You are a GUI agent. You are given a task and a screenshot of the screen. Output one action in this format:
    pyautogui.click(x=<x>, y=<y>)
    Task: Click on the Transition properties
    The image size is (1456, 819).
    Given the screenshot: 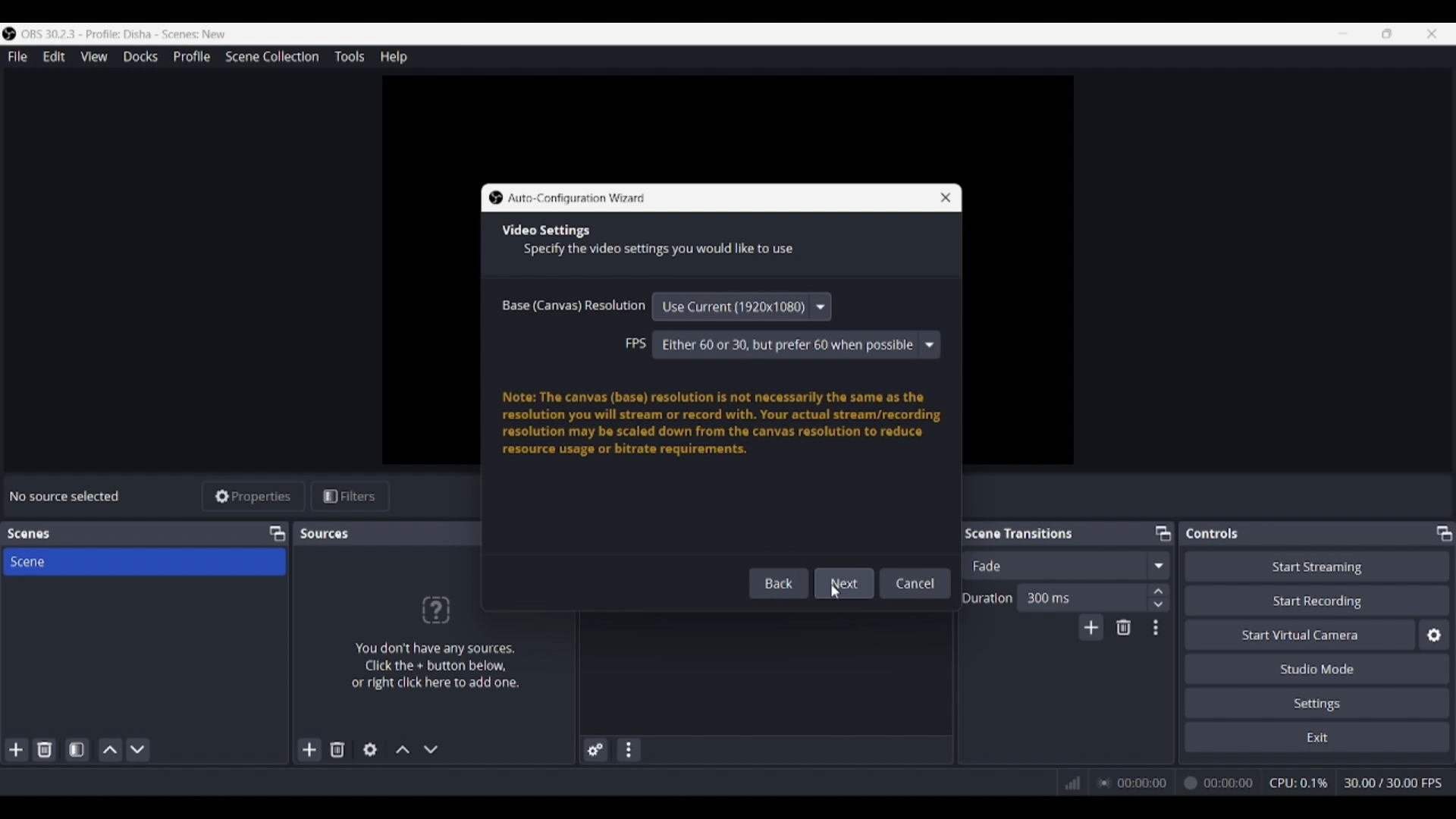 What is the action you would take?
    pyautogui.click(x=1156, y=628)
    